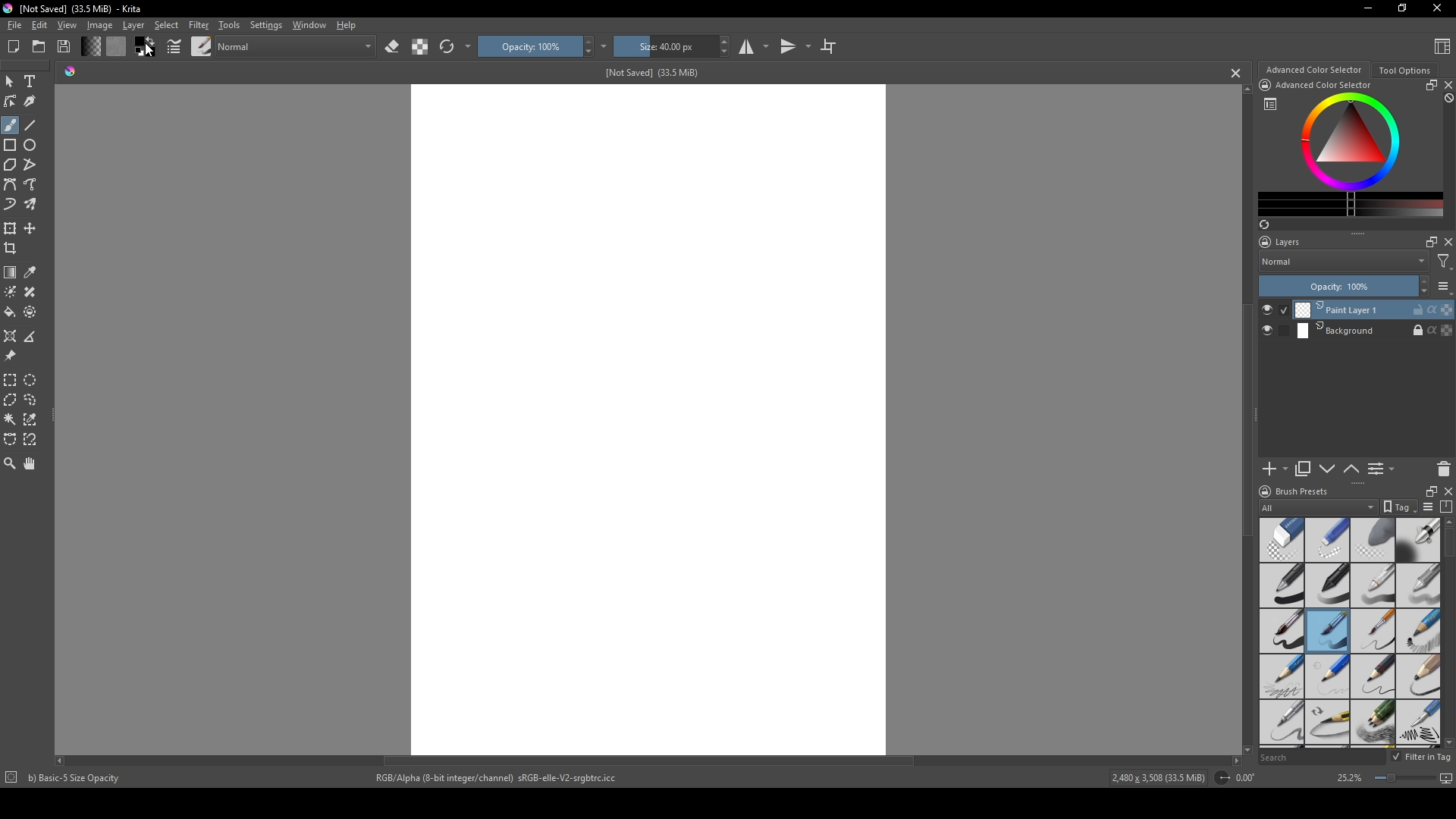 The height and width of the screenshot is (819, 1456). What do you see at coordinates (1447, 85) in the screenshot?
I see `close` at bounding box center [1447, 85].